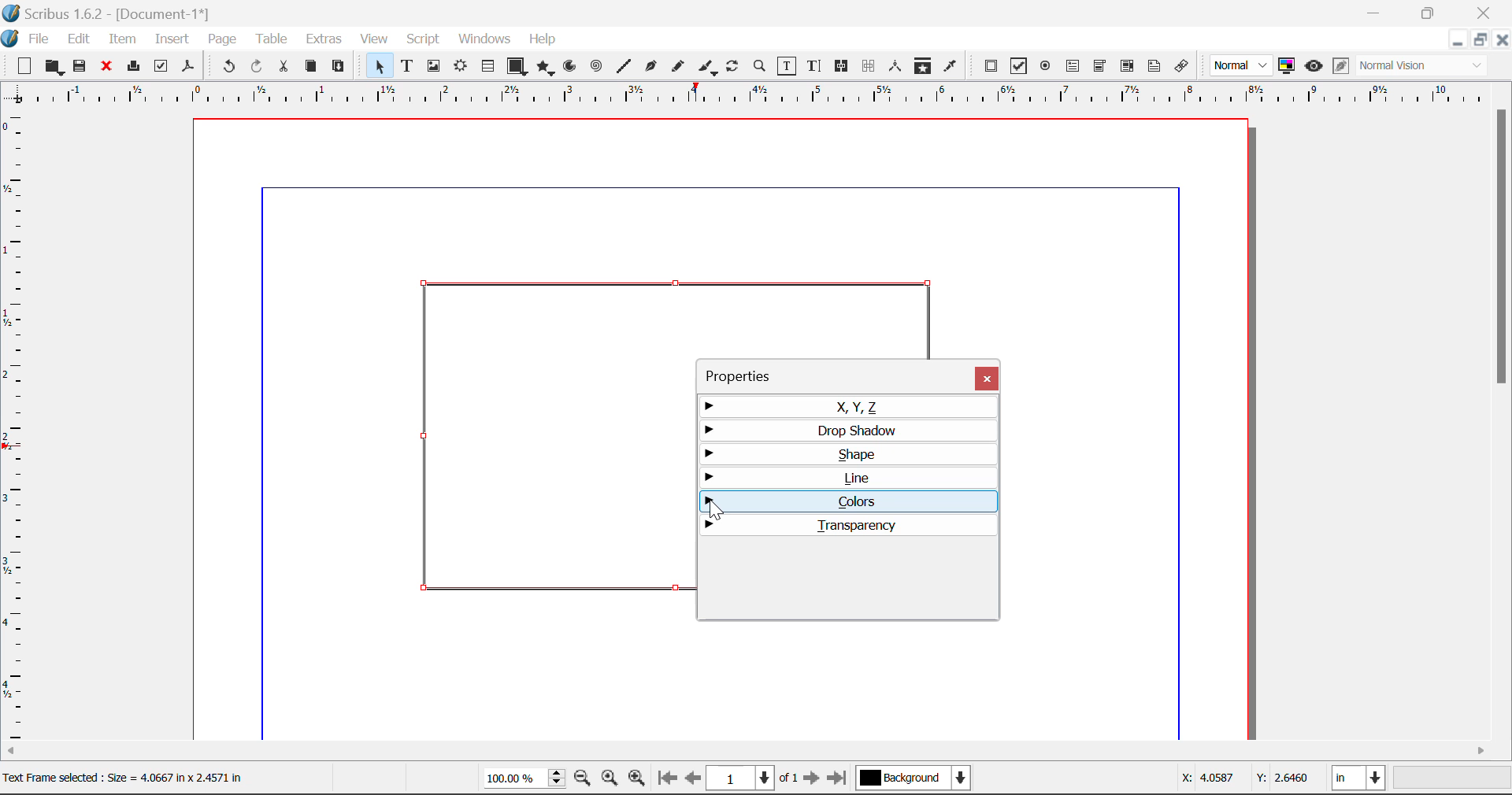 This screenshot has width=1512, height=795. What do you see at coordinates (113, 11) in the screenshot?
I see `Scribus 1.62 - [Document-1*]` at bounding box center [113, 11].